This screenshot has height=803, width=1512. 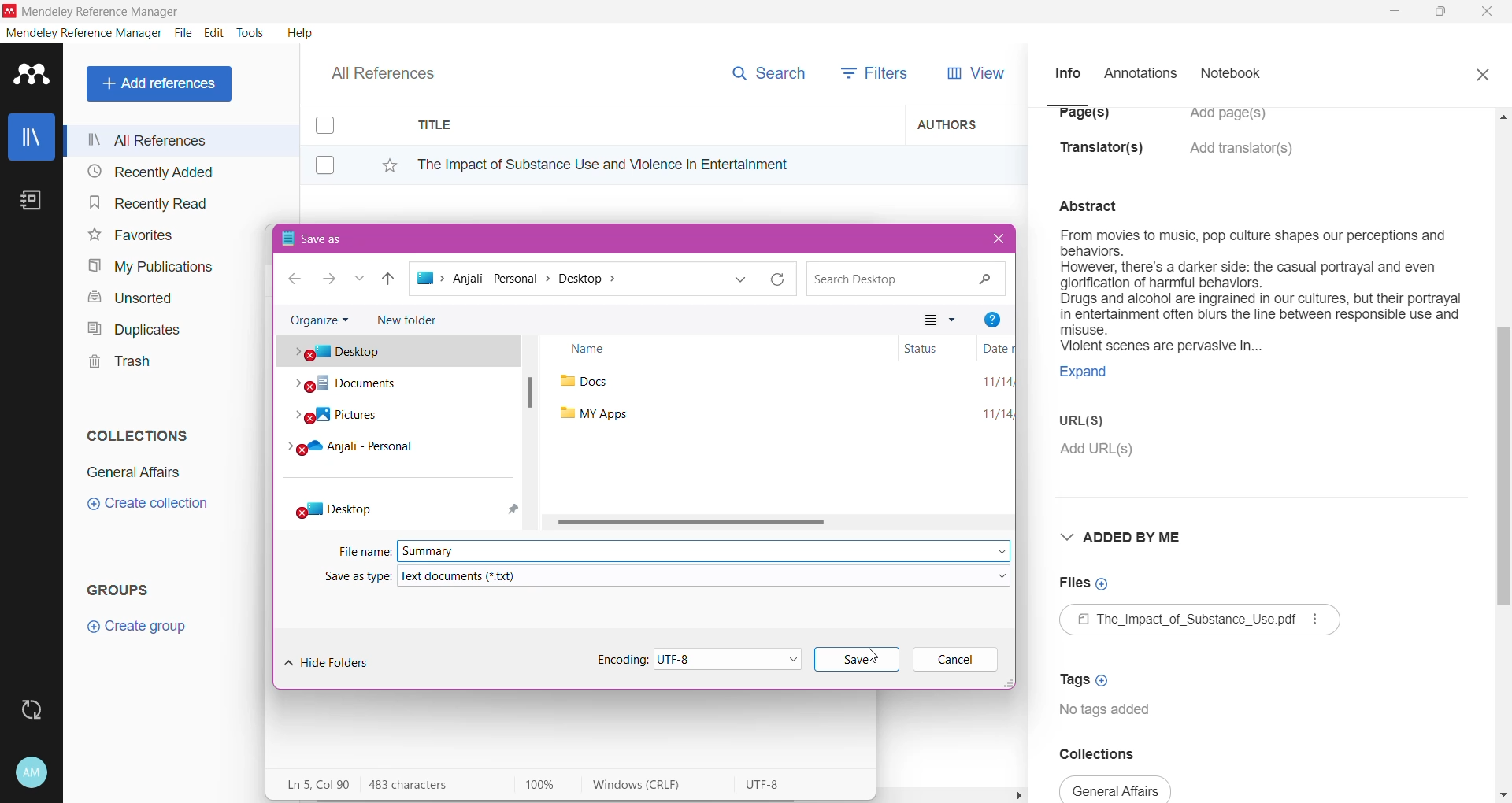 What do you see at coordinates (422, 785) in the screenshot?
I see `Number of Characters in the pasted text` at bounding box center [422, 785].